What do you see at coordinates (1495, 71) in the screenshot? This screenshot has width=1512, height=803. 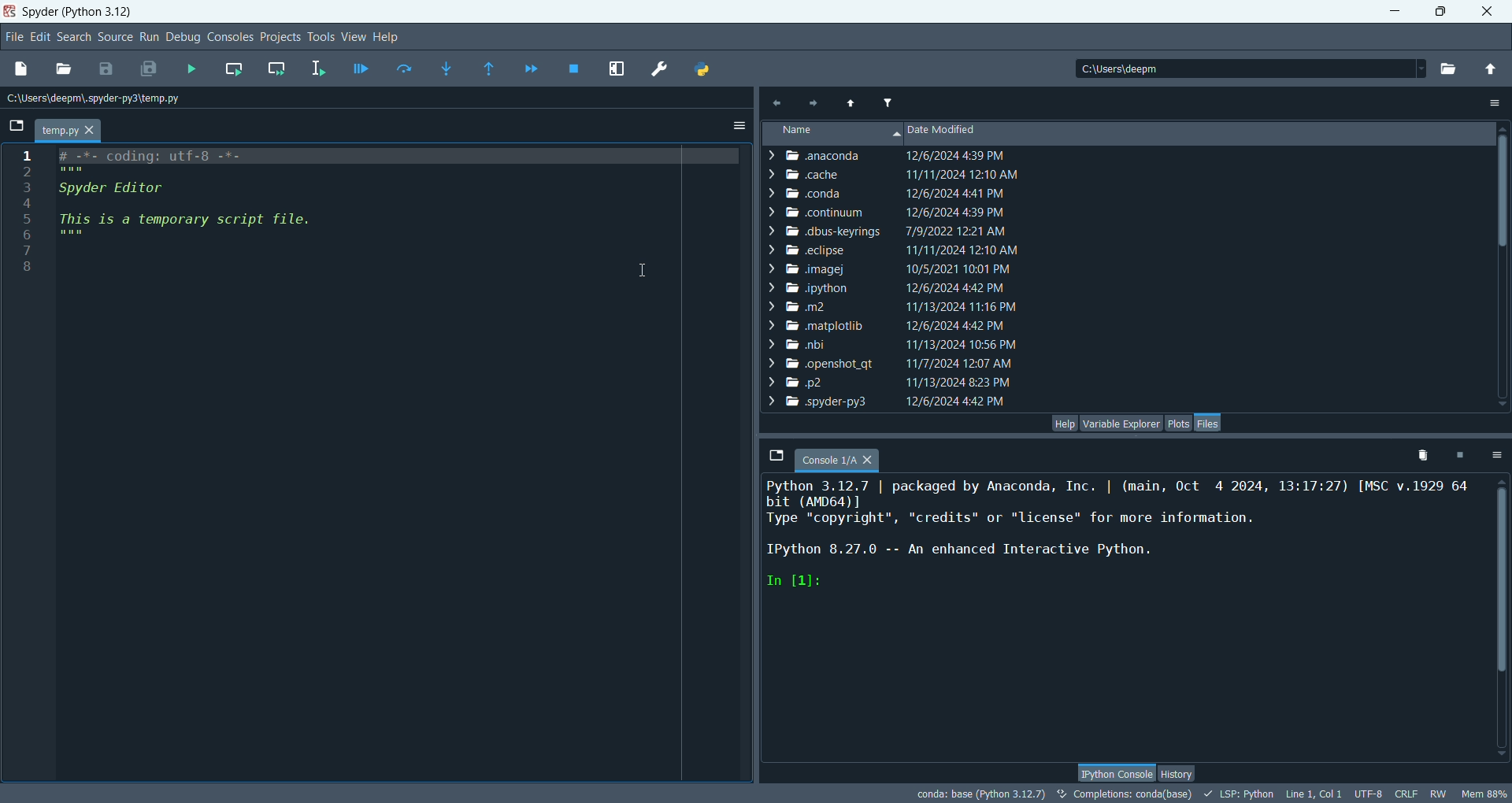 I see `change to parent directory` at bounding box center [1495, 71].